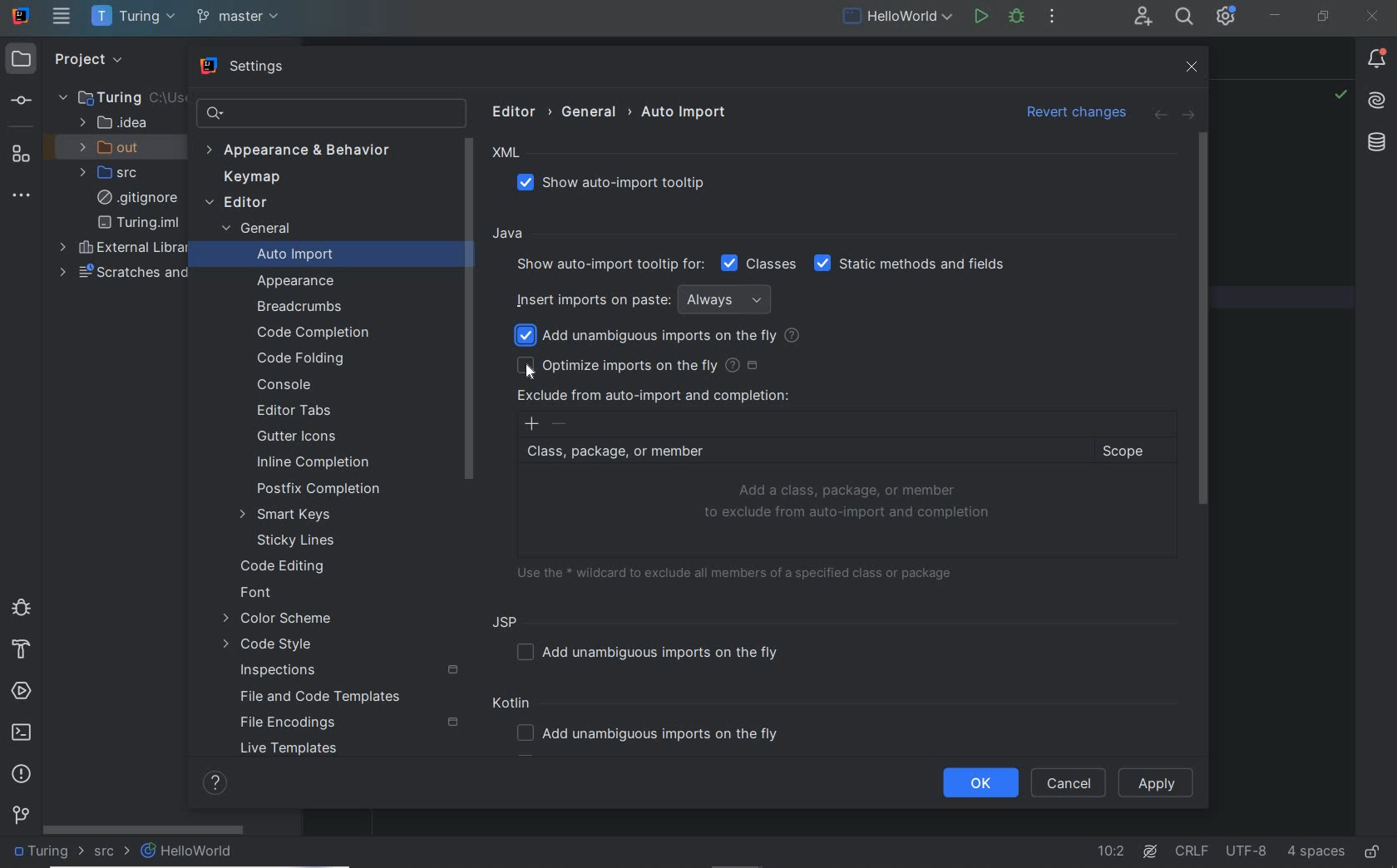 This screenshot has height=868, width=1397. Describe the element at coordinates (685, 111) in the screenshot. I see `auto import` at that location.